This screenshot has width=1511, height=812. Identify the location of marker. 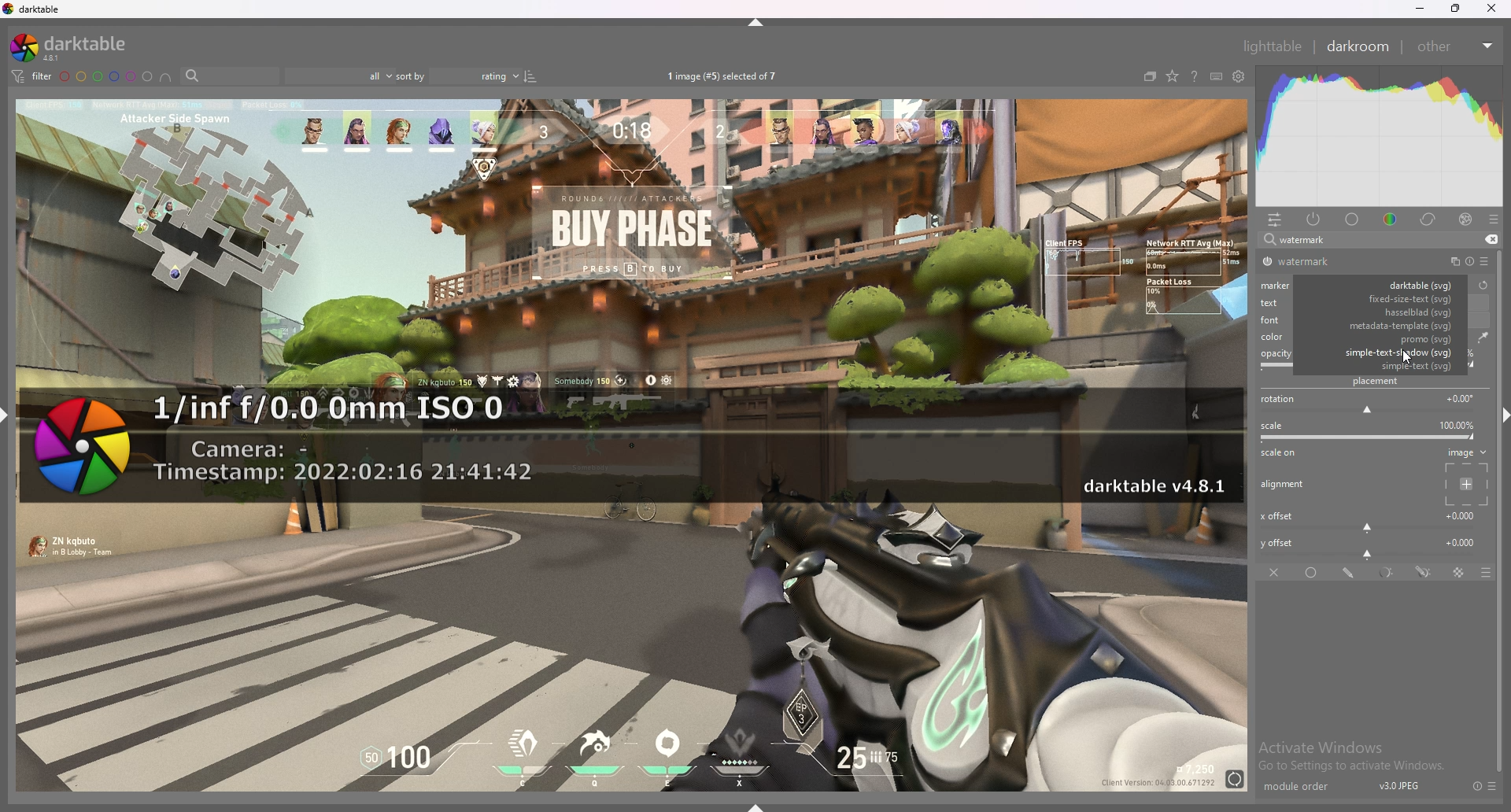
(1279, 284).